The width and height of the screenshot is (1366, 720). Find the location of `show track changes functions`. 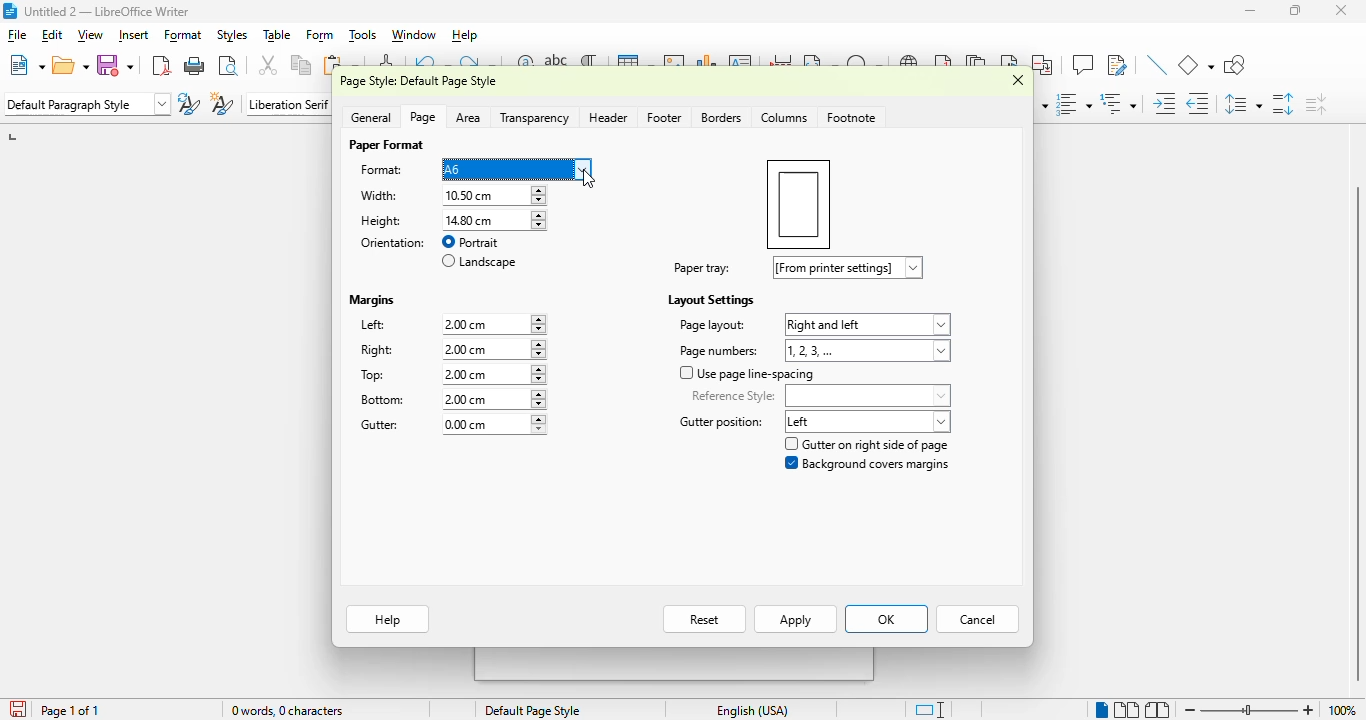

show track changes functions is located at coordinates (1117, 65).